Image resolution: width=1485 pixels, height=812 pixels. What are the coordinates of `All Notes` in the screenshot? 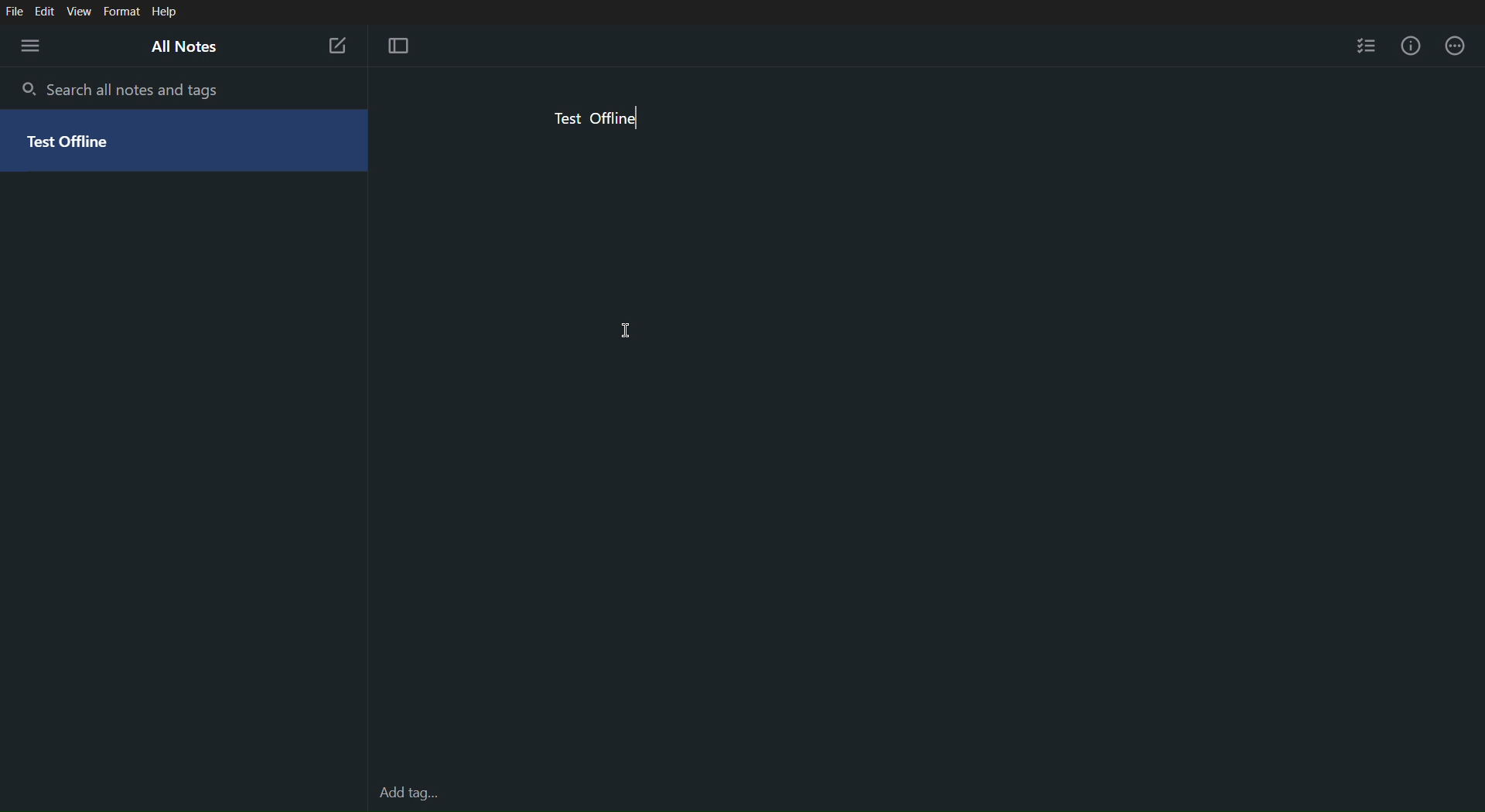 It's located at (192, 47).